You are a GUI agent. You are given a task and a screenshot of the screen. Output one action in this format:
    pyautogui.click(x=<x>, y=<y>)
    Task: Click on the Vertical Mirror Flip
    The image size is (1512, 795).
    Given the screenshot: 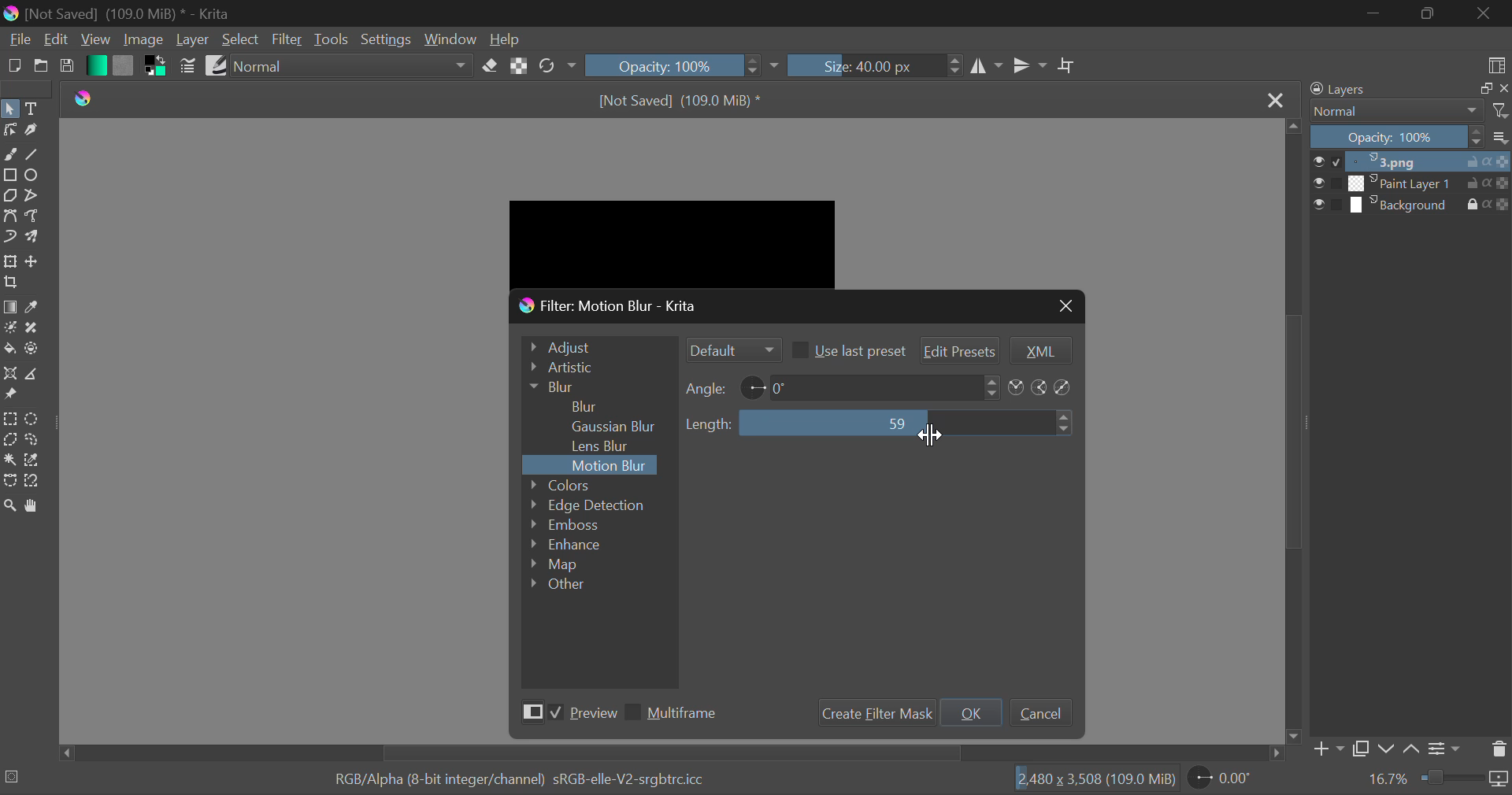 What is the action you would take?
    pyautogui.click(x=988, y=68)
    